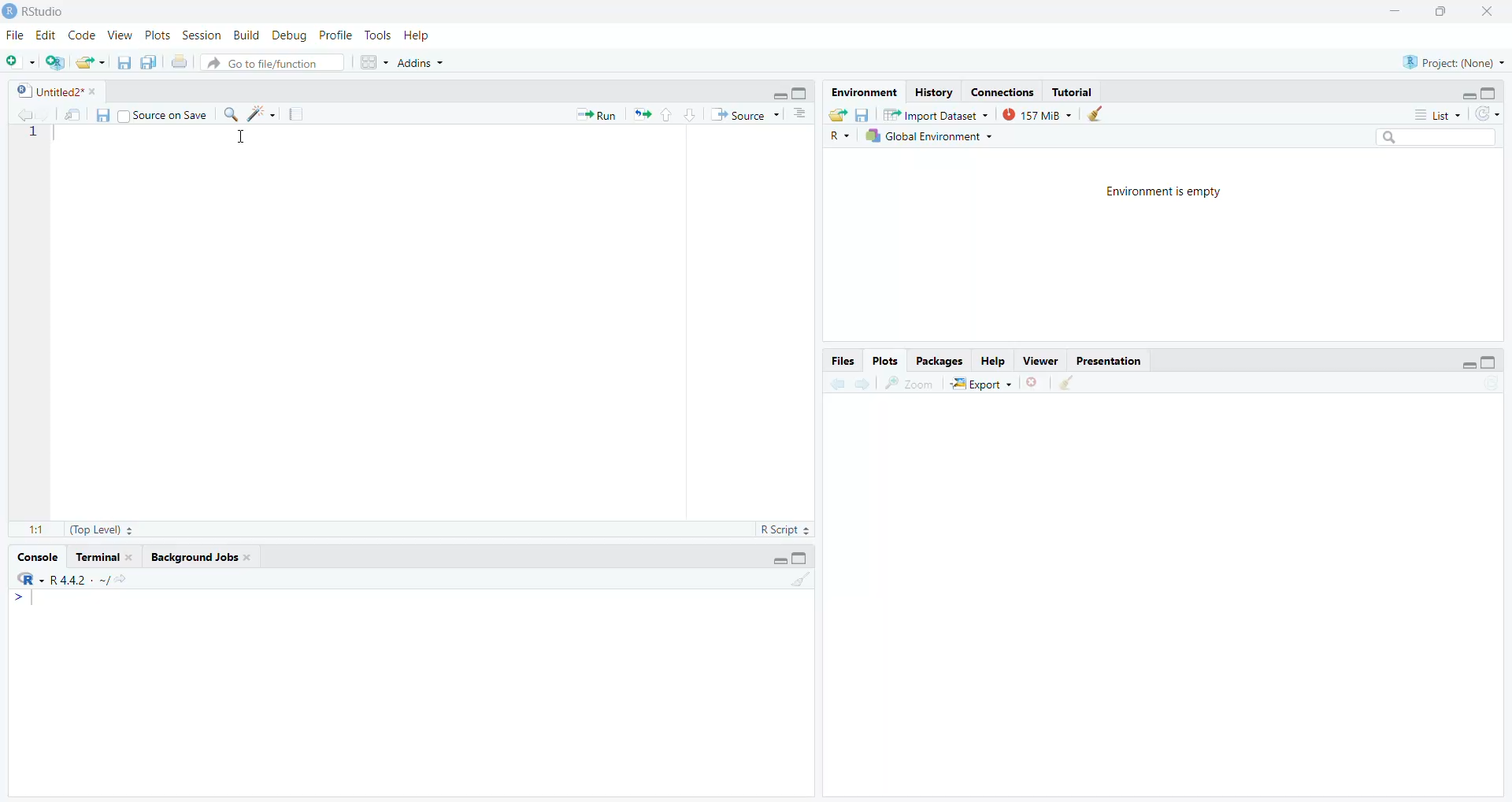 Image resolution: width=1512 pixels, height=802 pixels. Describe the element at coordinates (838, 383) in the screenshot. I see `previous plot` at that location.